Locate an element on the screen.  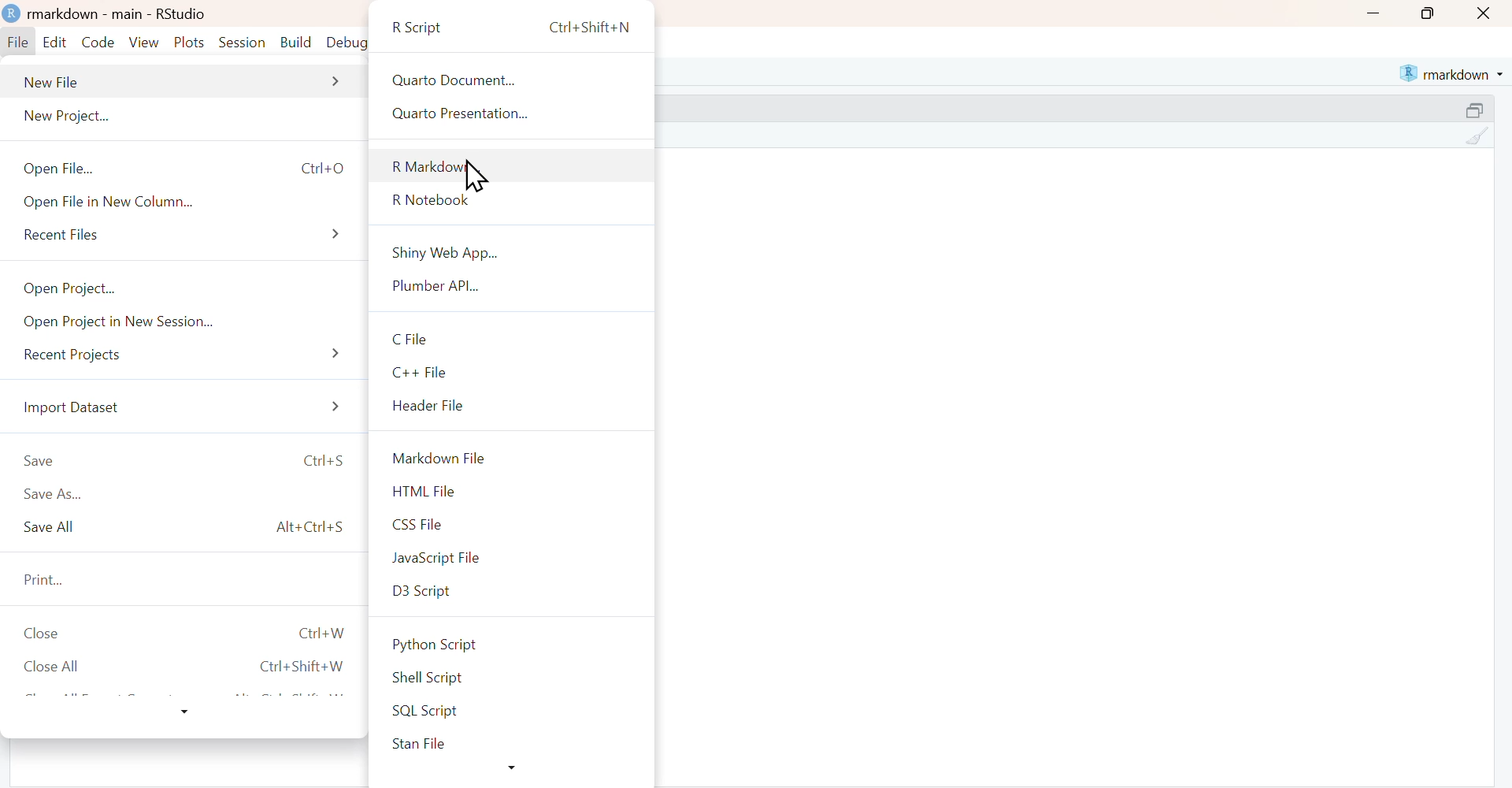
JavaScript File is located at coordinates (512, 559).